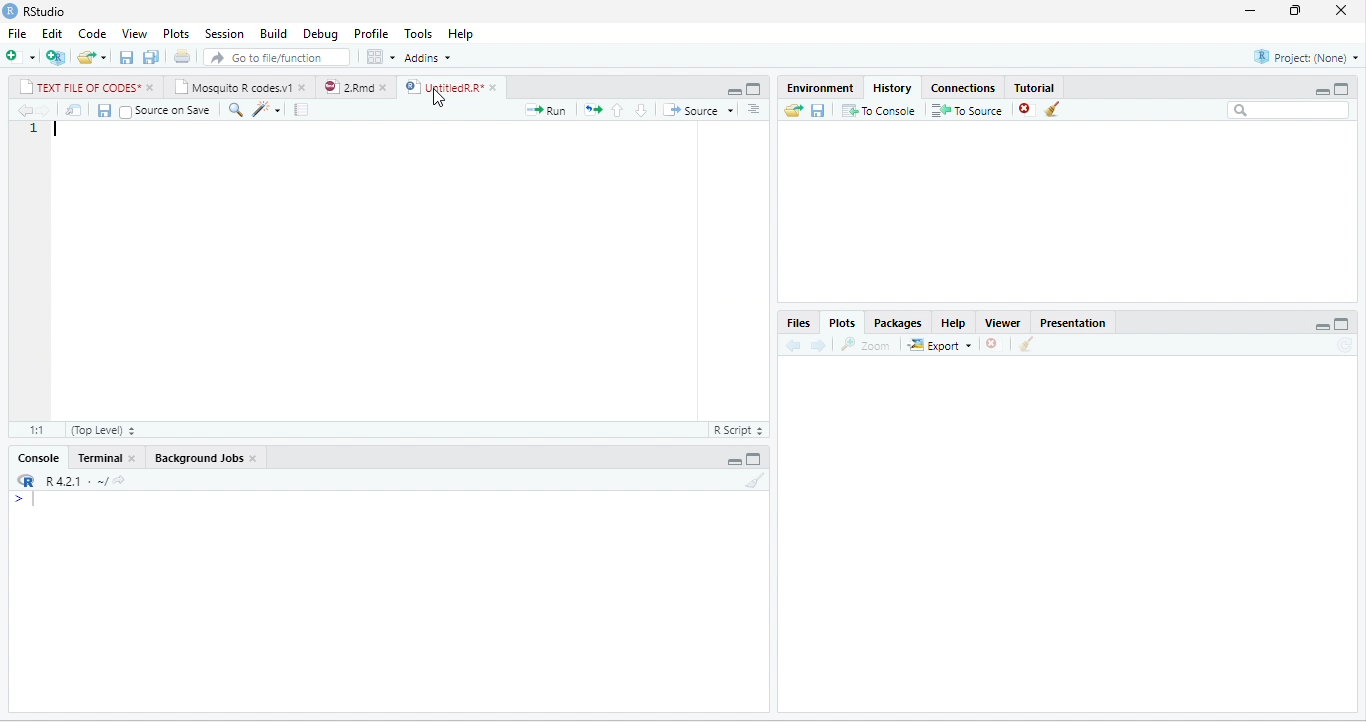 The image size is (1366, 722). Describe the element at coordinates (1343, 324) in the screenshot. I see `maximize` at that location.